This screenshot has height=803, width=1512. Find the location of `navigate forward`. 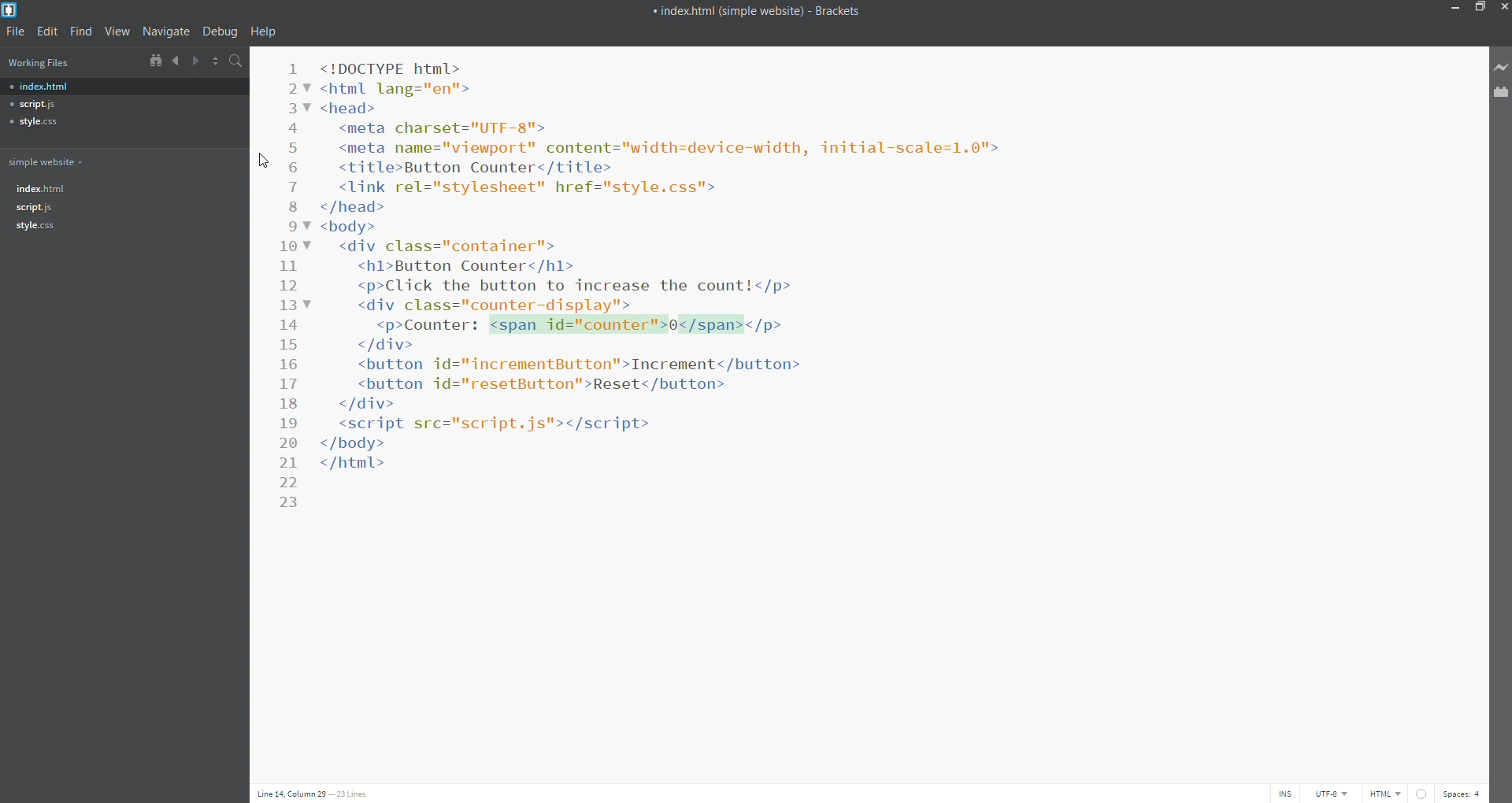

navigate forward is located at coordinates (196, 61).